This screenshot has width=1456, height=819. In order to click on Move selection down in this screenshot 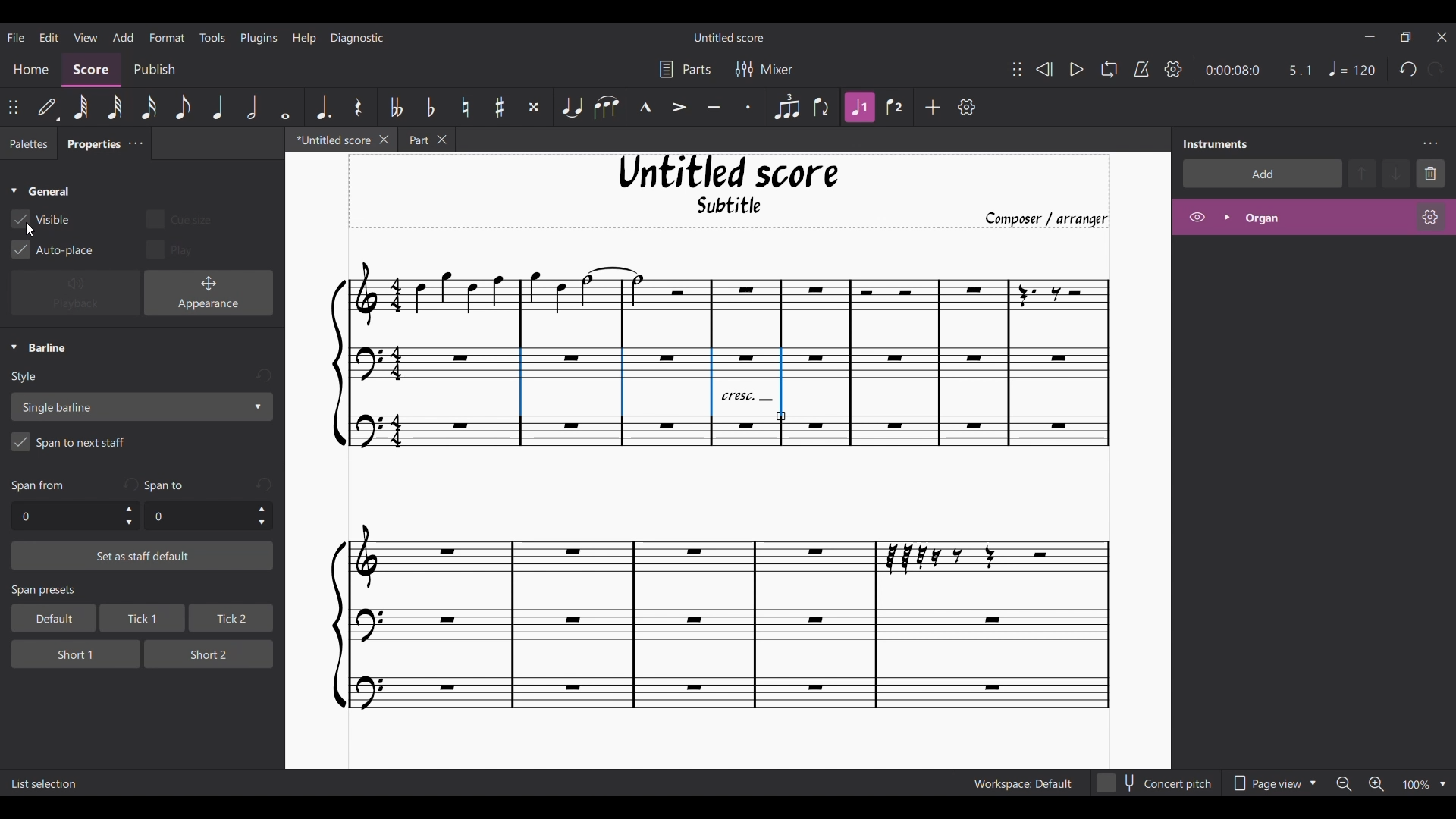, I will do `click(1398, 174)`.